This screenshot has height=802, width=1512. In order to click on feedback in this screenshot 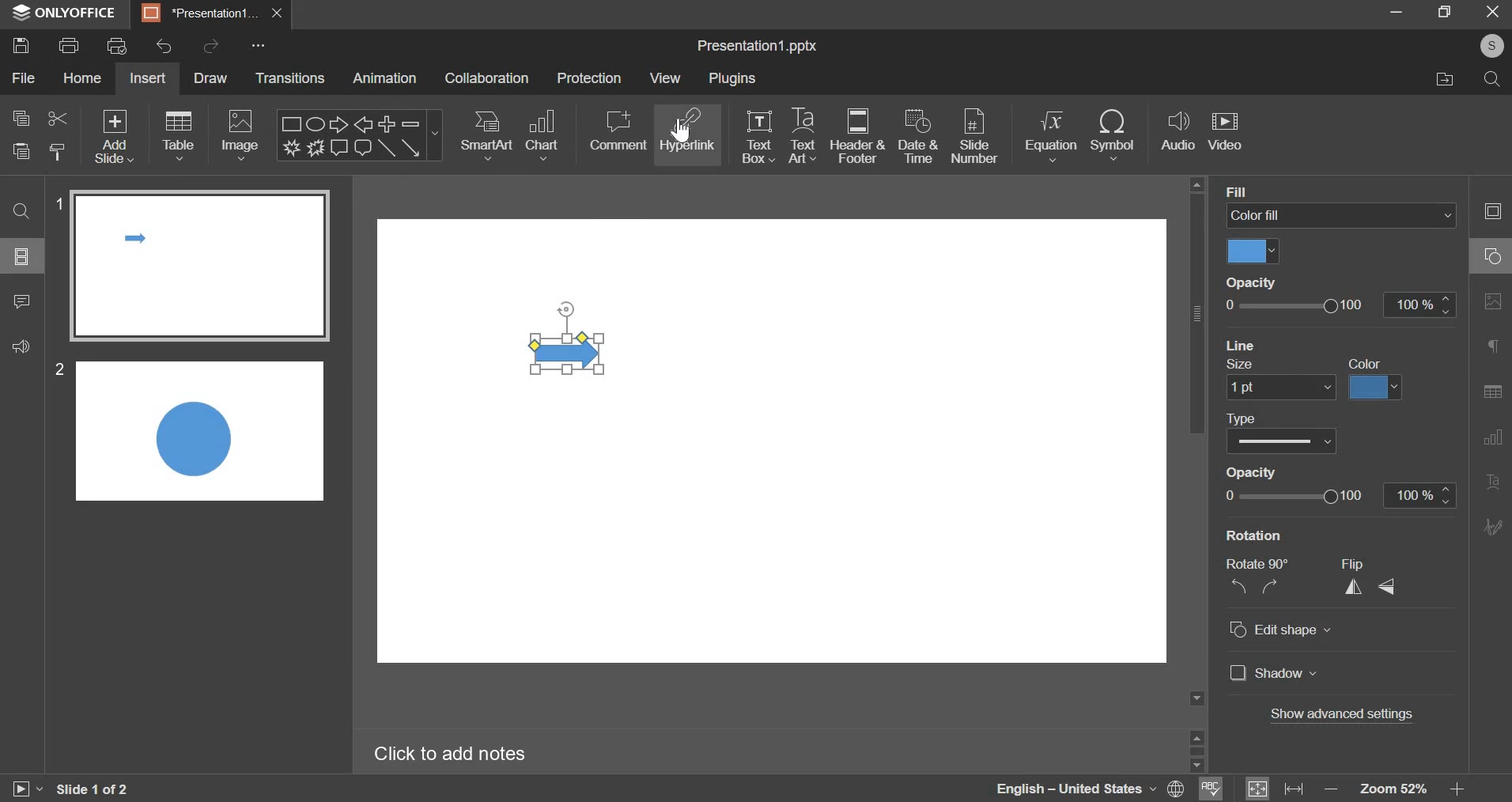, I will do `click(20, 346)`.